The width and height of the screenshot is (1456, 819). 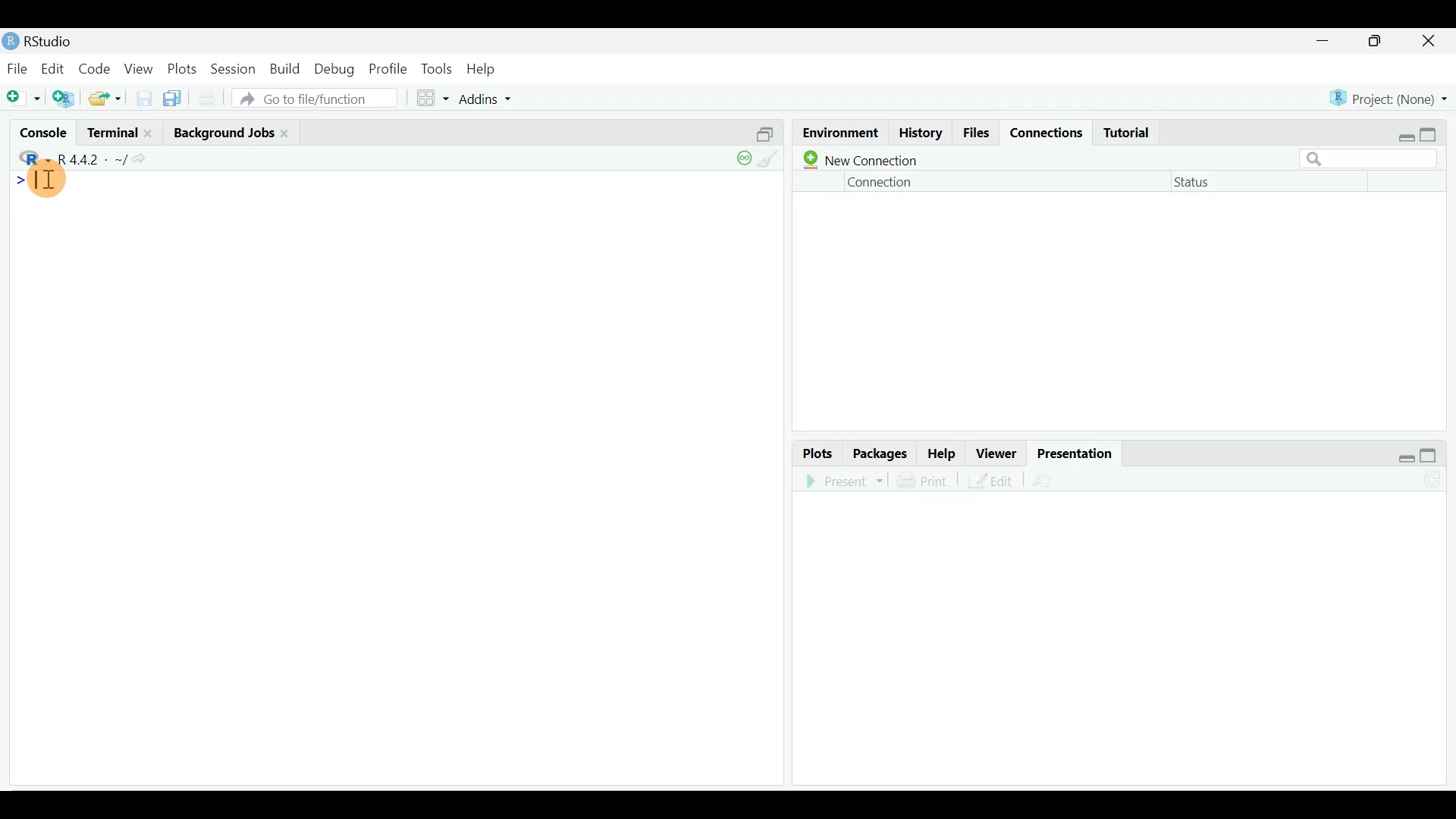 I want to click on Plots, so click(x=182, y=66).